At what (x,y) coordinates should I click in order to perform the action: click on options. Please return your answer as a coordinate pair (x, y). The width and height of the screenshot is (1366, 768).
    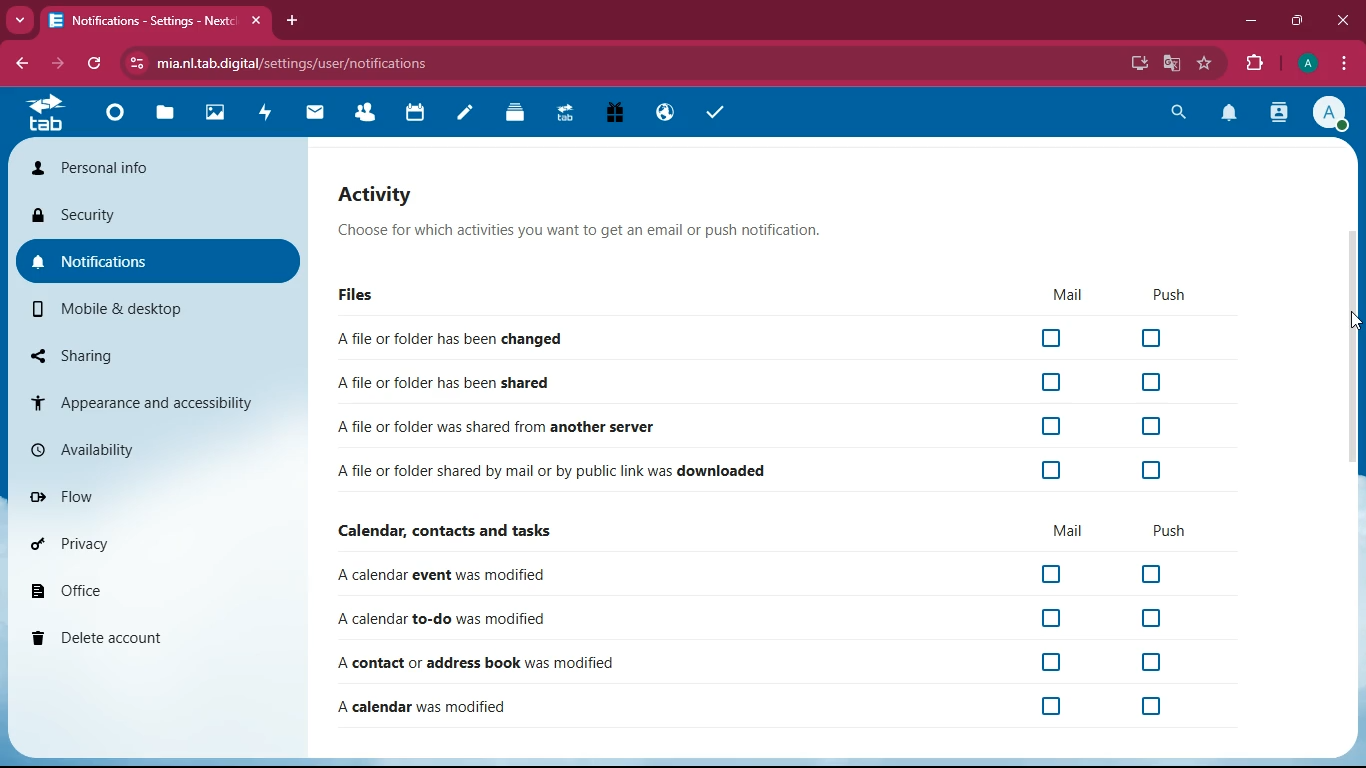
    Looking at the image, I should click on (1345, 63).